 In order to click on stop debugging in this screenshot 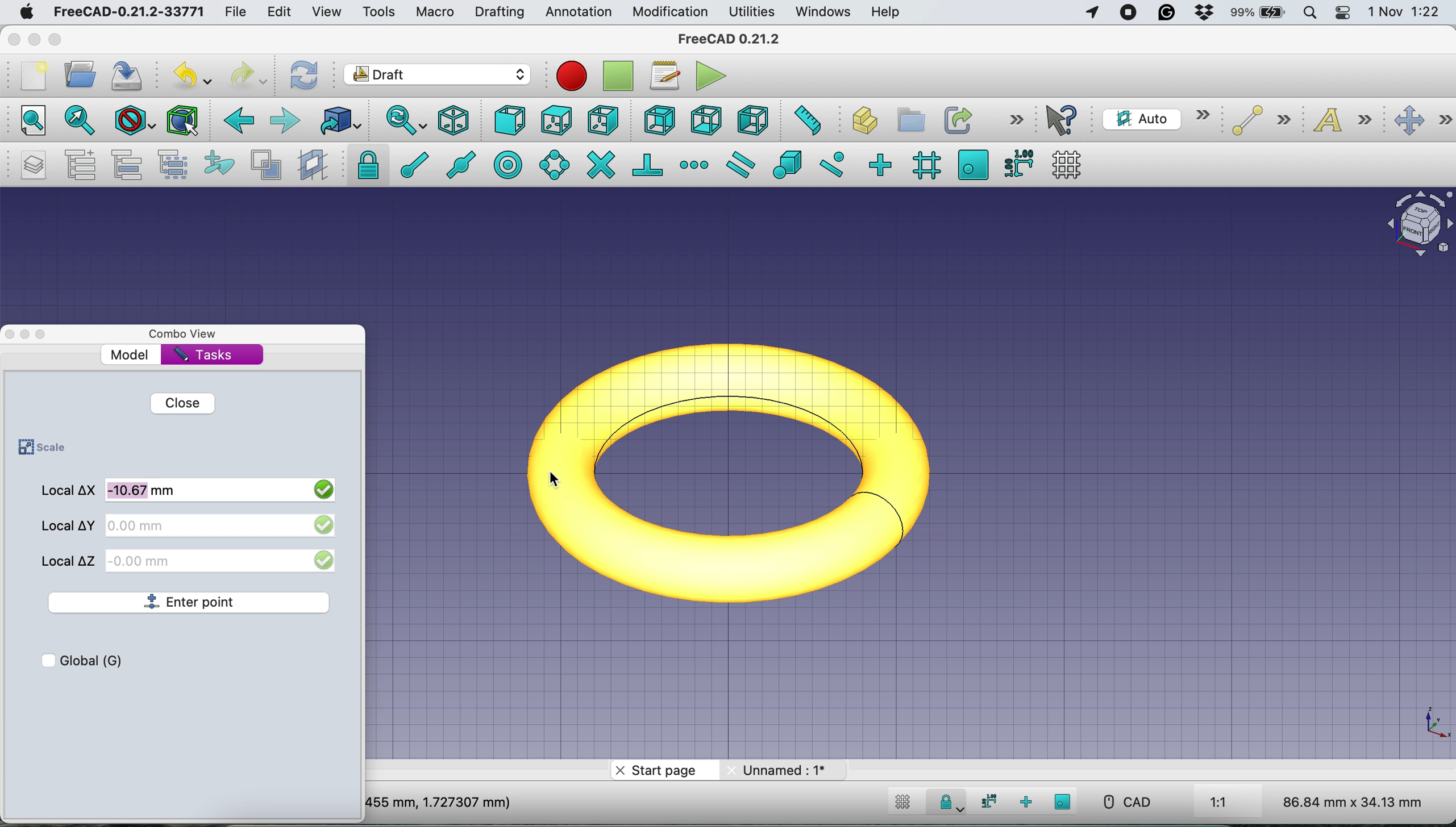, I will do `click(615, 76)`.